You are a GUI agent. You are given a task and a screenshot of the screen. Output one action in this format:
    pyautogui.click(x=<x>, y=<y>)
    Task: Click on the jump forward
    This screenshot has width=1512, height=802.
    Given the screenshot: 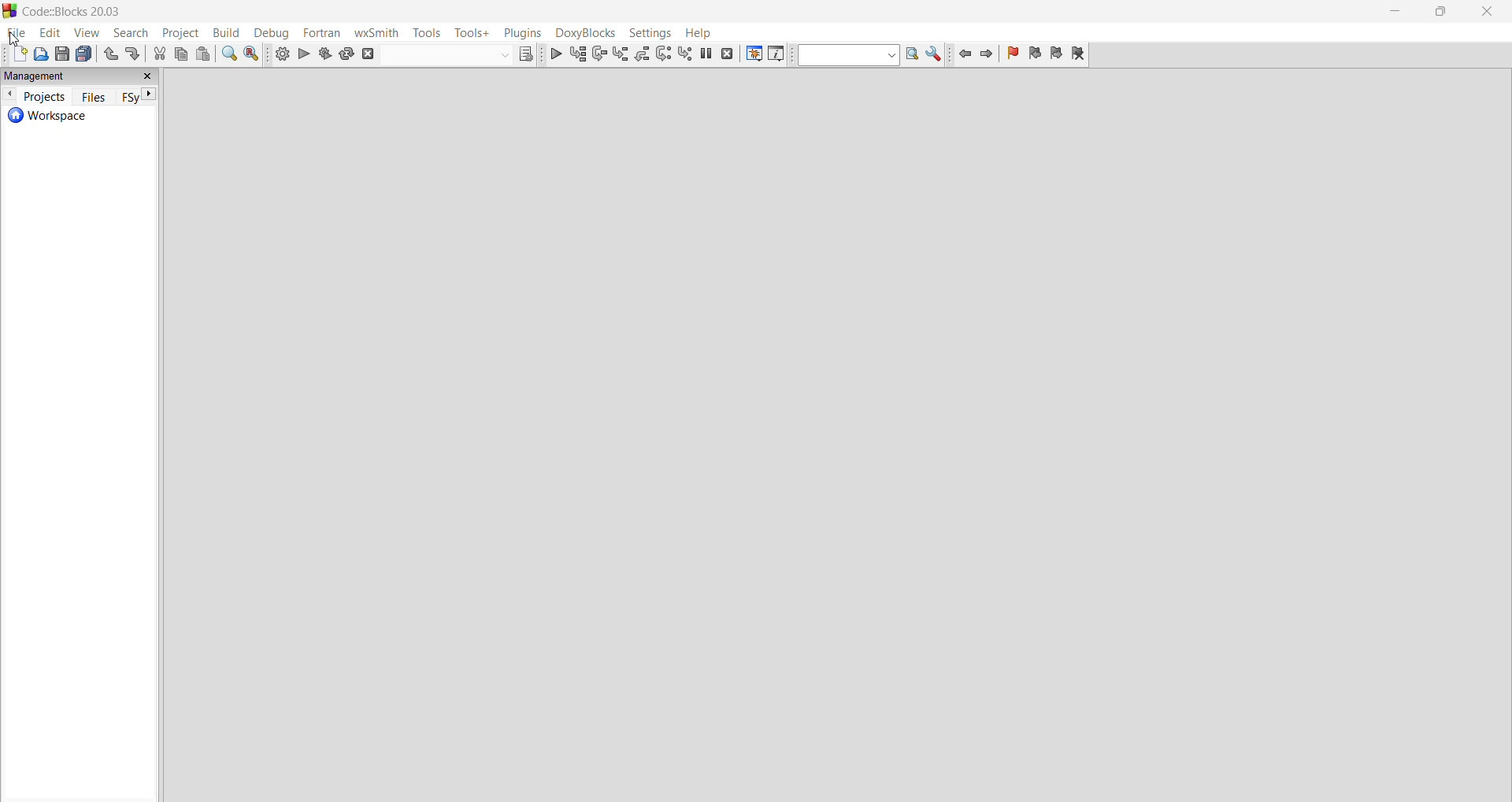 What is the action you would take?
    pyautogui.click(x=988, y=55)
    